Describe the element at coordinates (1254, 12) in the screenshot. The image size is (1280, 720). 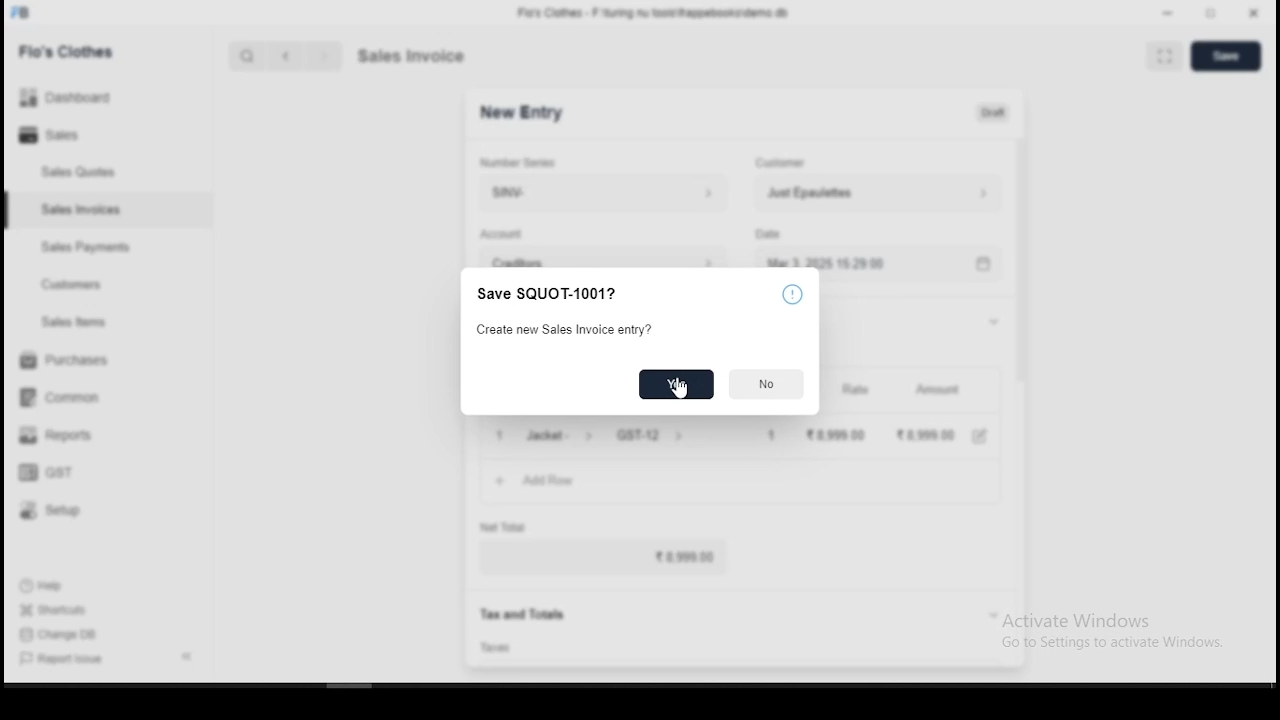
I see `close` at that location.